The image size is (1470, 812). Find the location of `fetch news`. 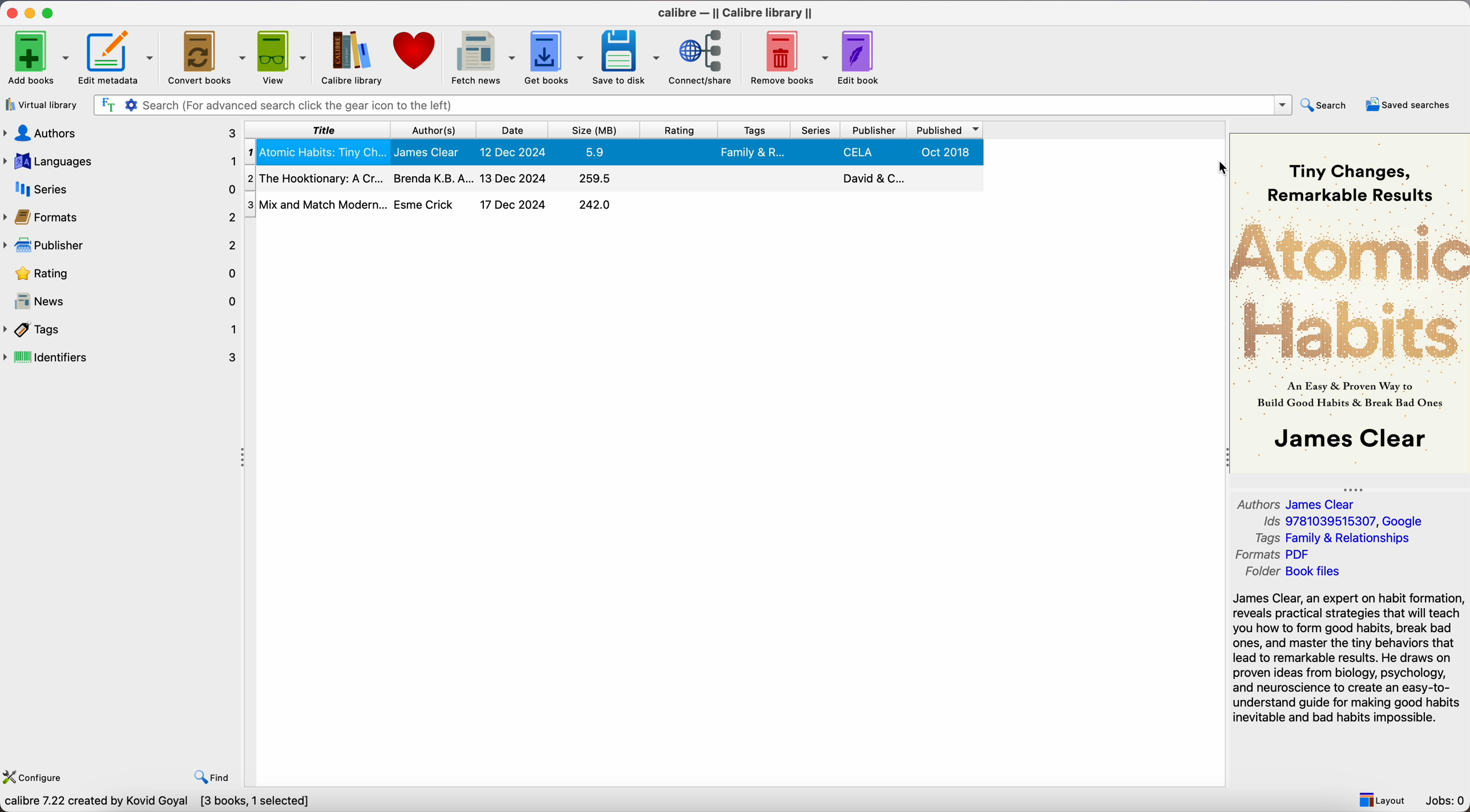

fetch news is located at coordinates (482, 58).